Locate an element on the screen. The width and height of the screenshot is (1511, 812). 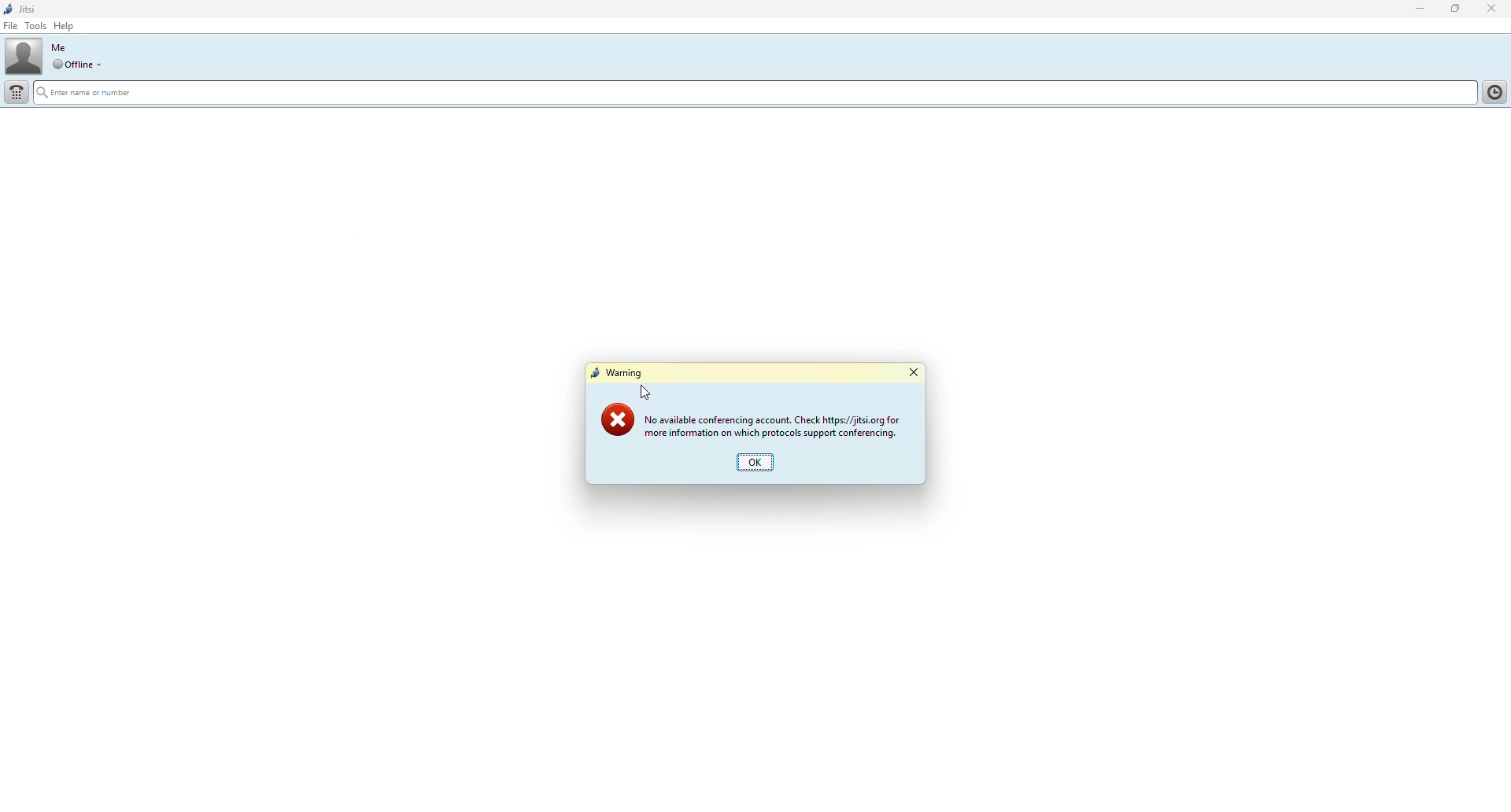
me is located at coordinates (63, 47).